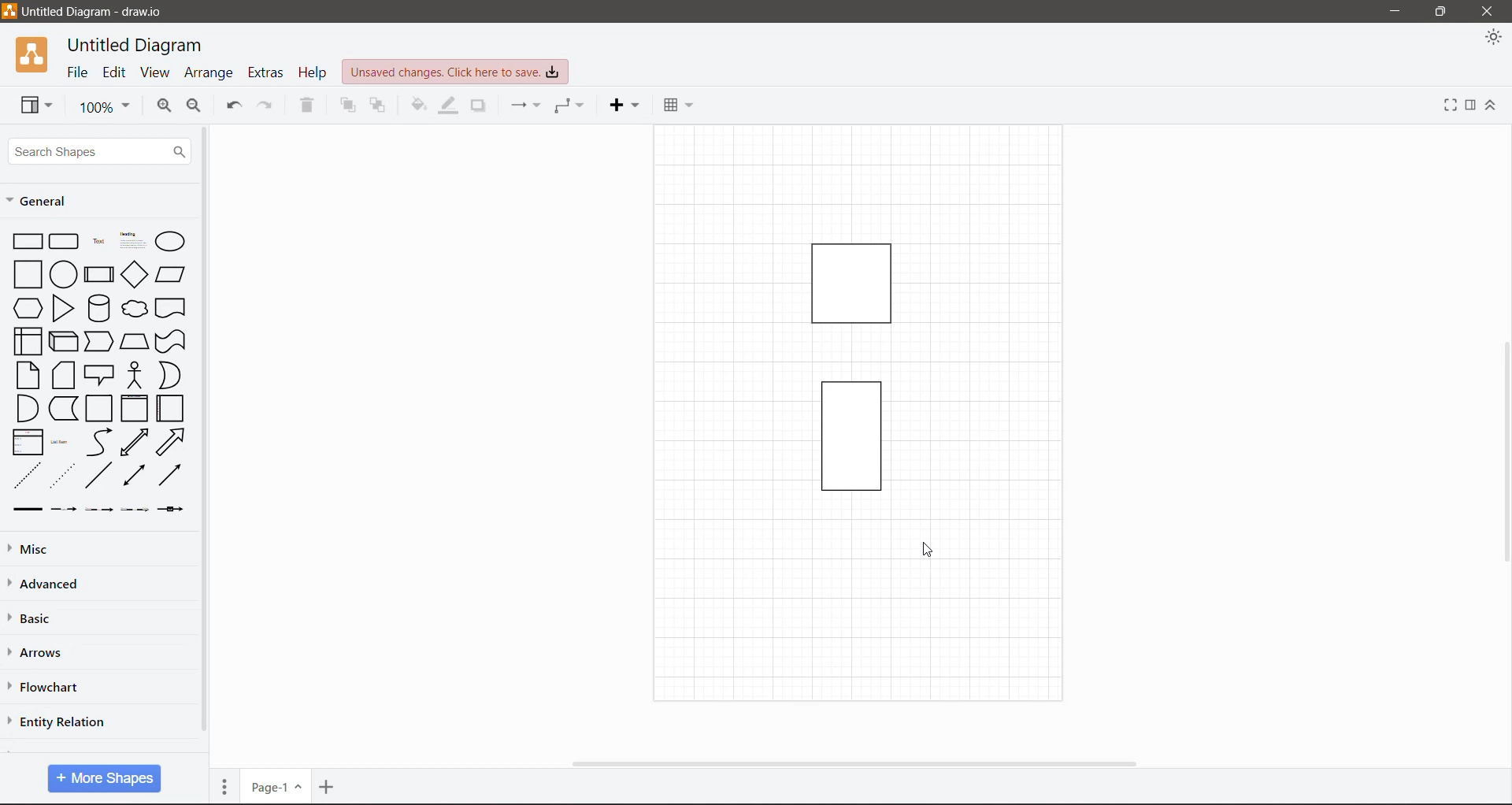 The image size is (1512, 805). I want to click on Advanced, so click(54, 584).